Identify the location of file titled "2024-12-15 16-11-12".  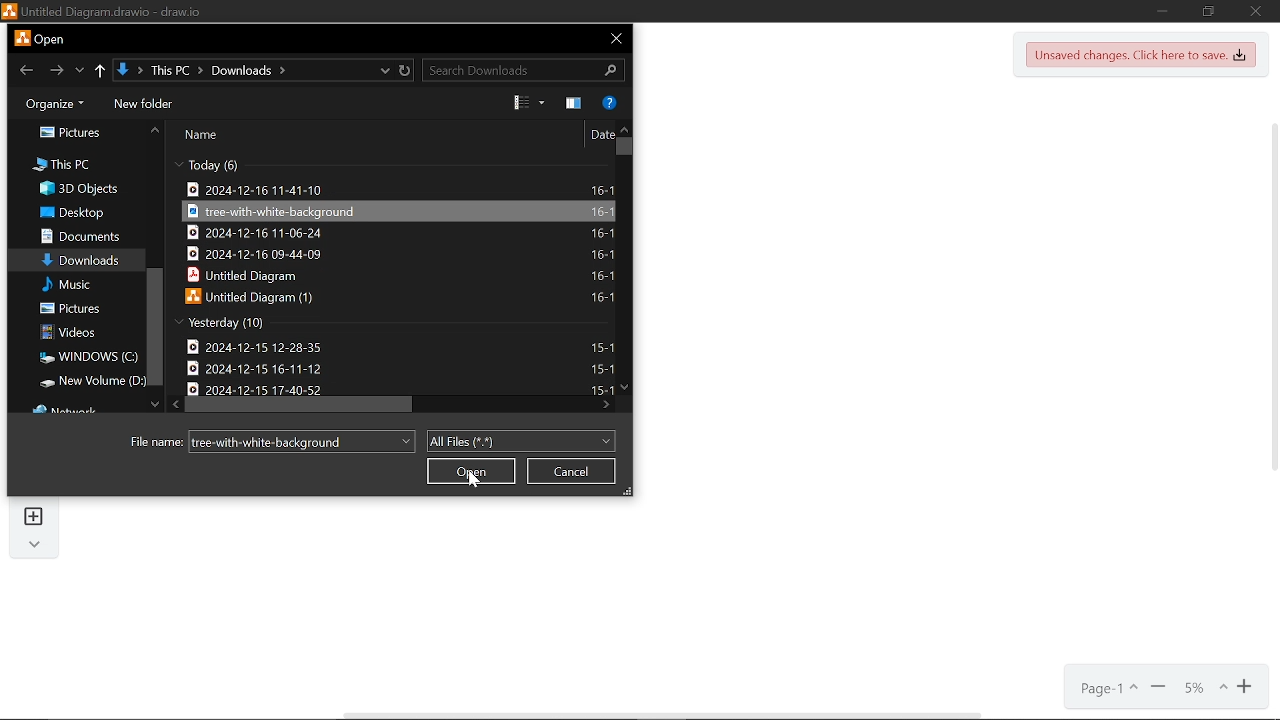
(396, 367).